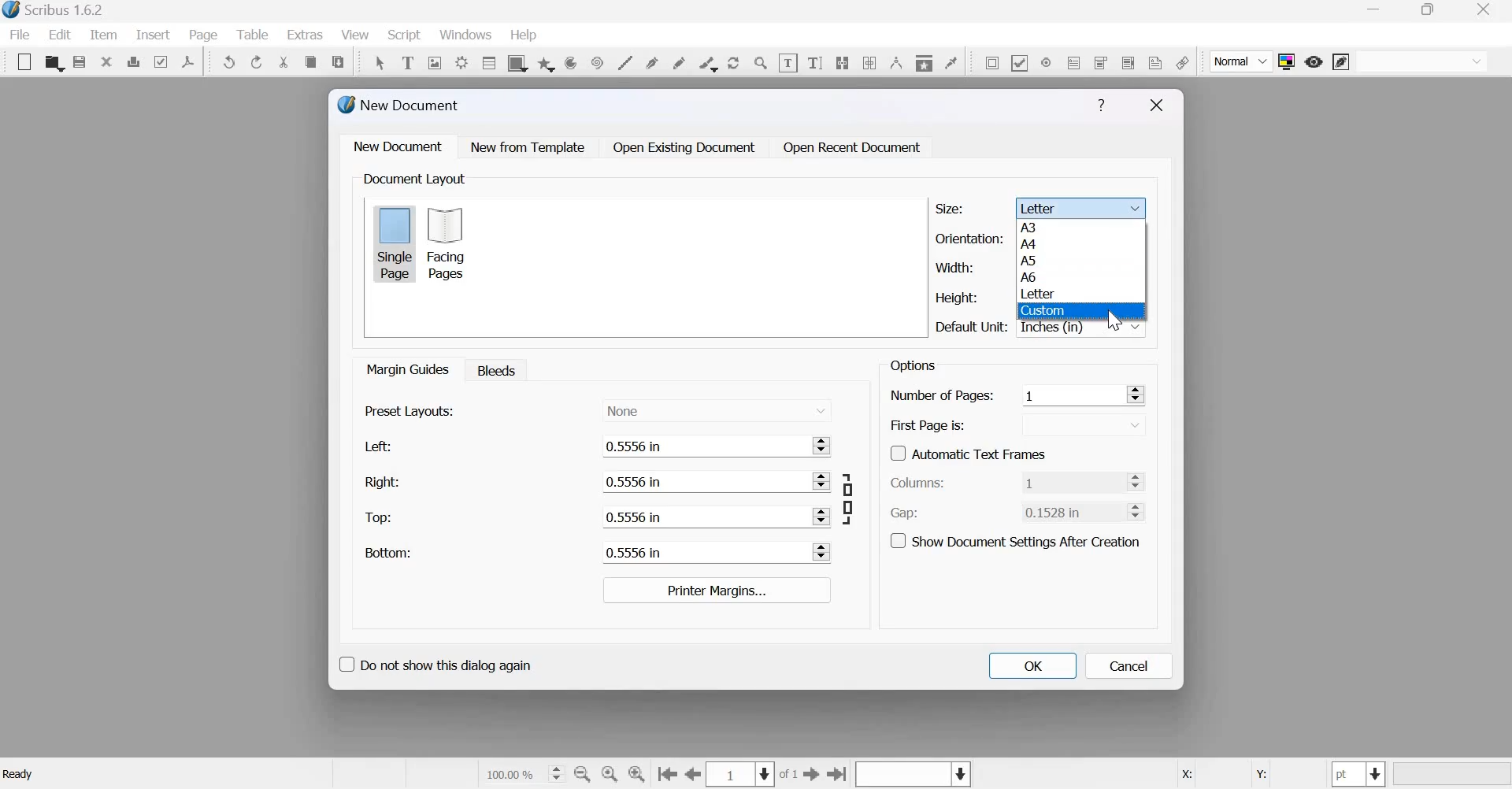  Describe the element at coordinates (704, 551) in the screenshot. I see `0.5556 in` at that location.